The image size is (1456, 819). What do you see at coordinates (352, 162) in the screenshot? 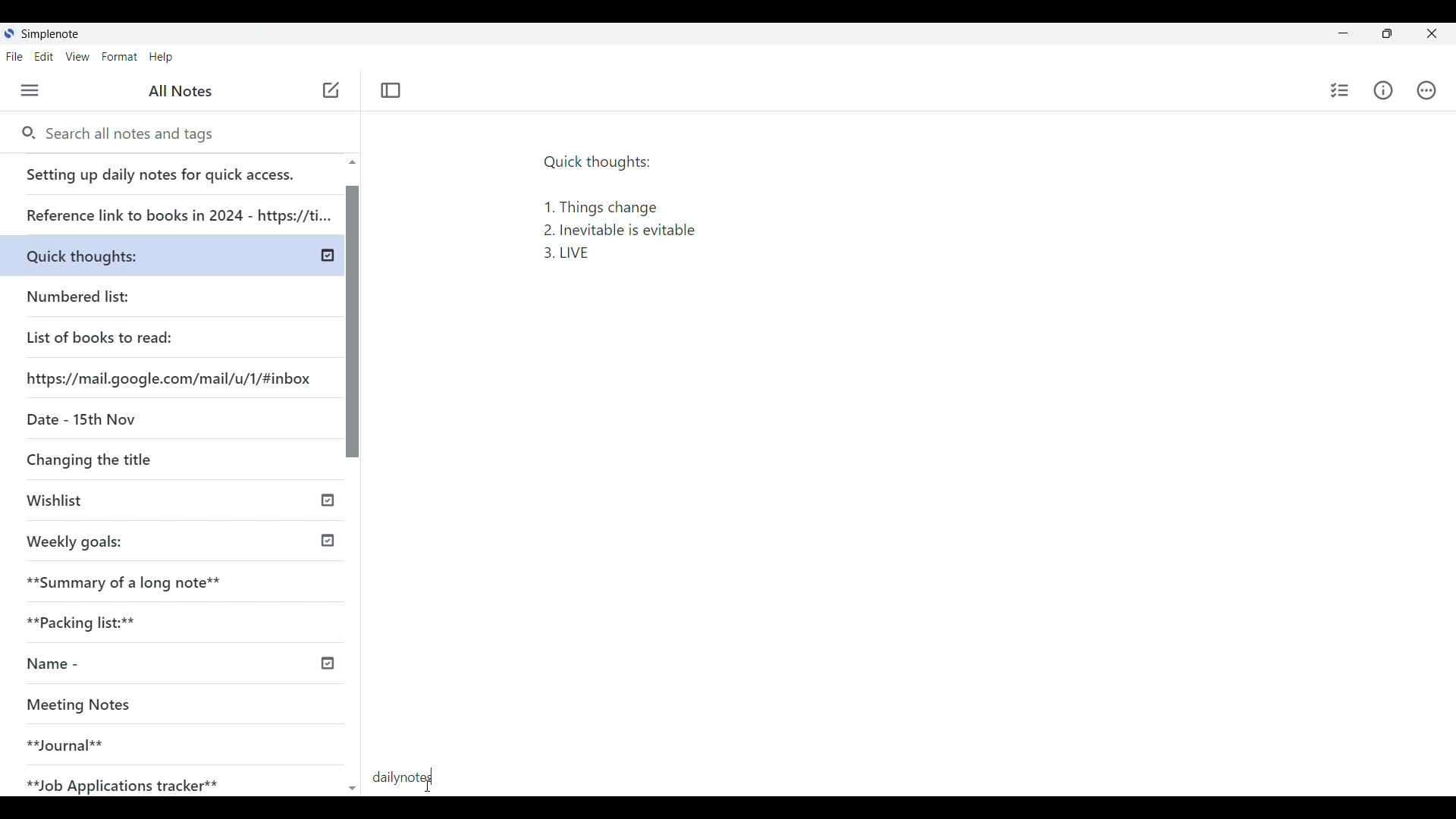
I see `Quick slide to top` at bounding box center [352, 162].